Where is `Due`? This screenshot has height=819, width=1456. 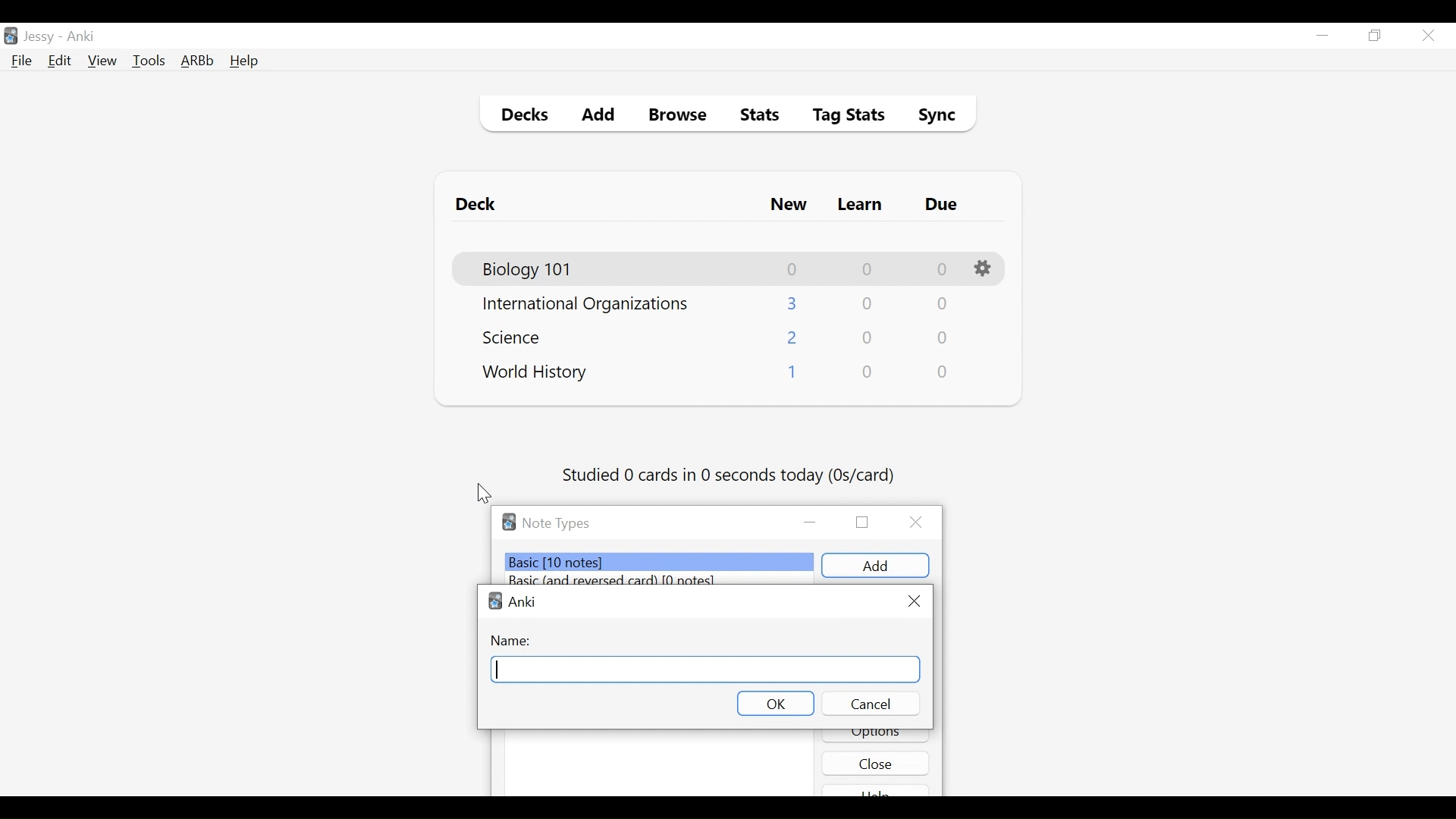 Due is located at coordinates (943, 205).